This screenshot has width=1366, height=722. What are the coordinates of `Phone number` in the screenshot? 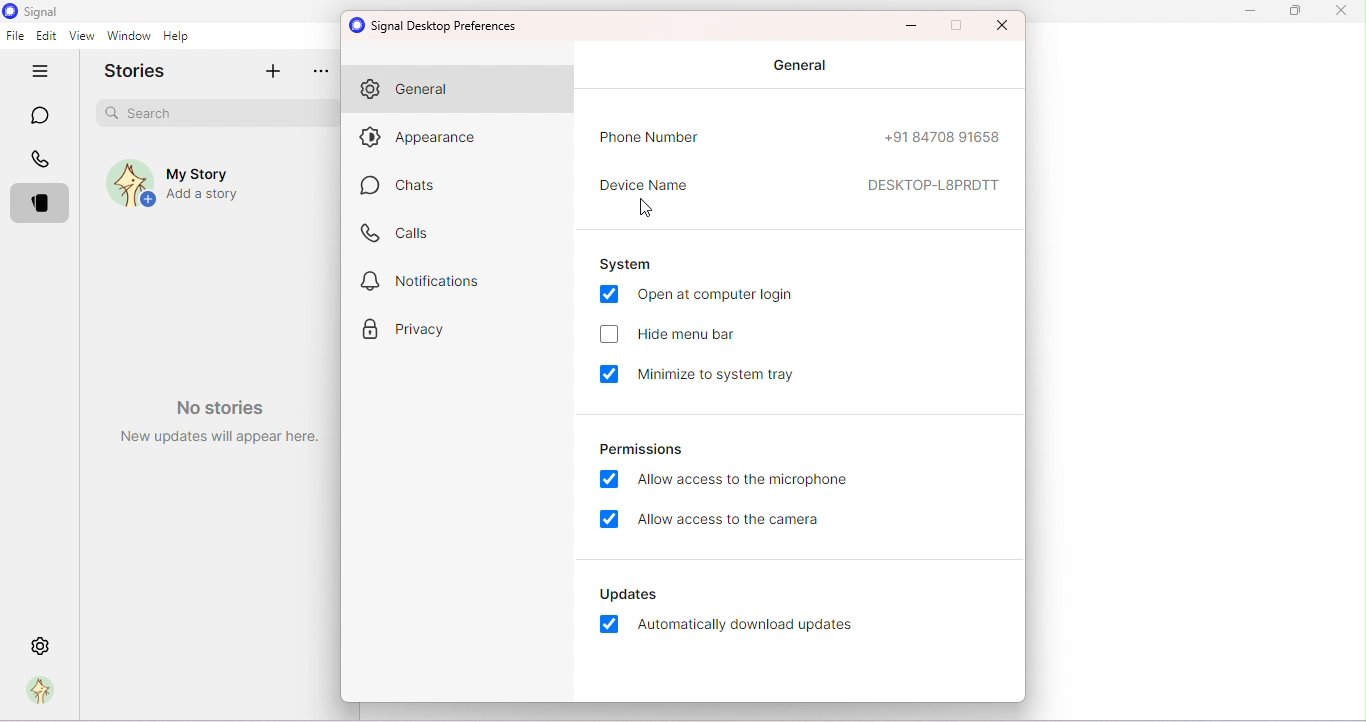 It's located at (794, 140).